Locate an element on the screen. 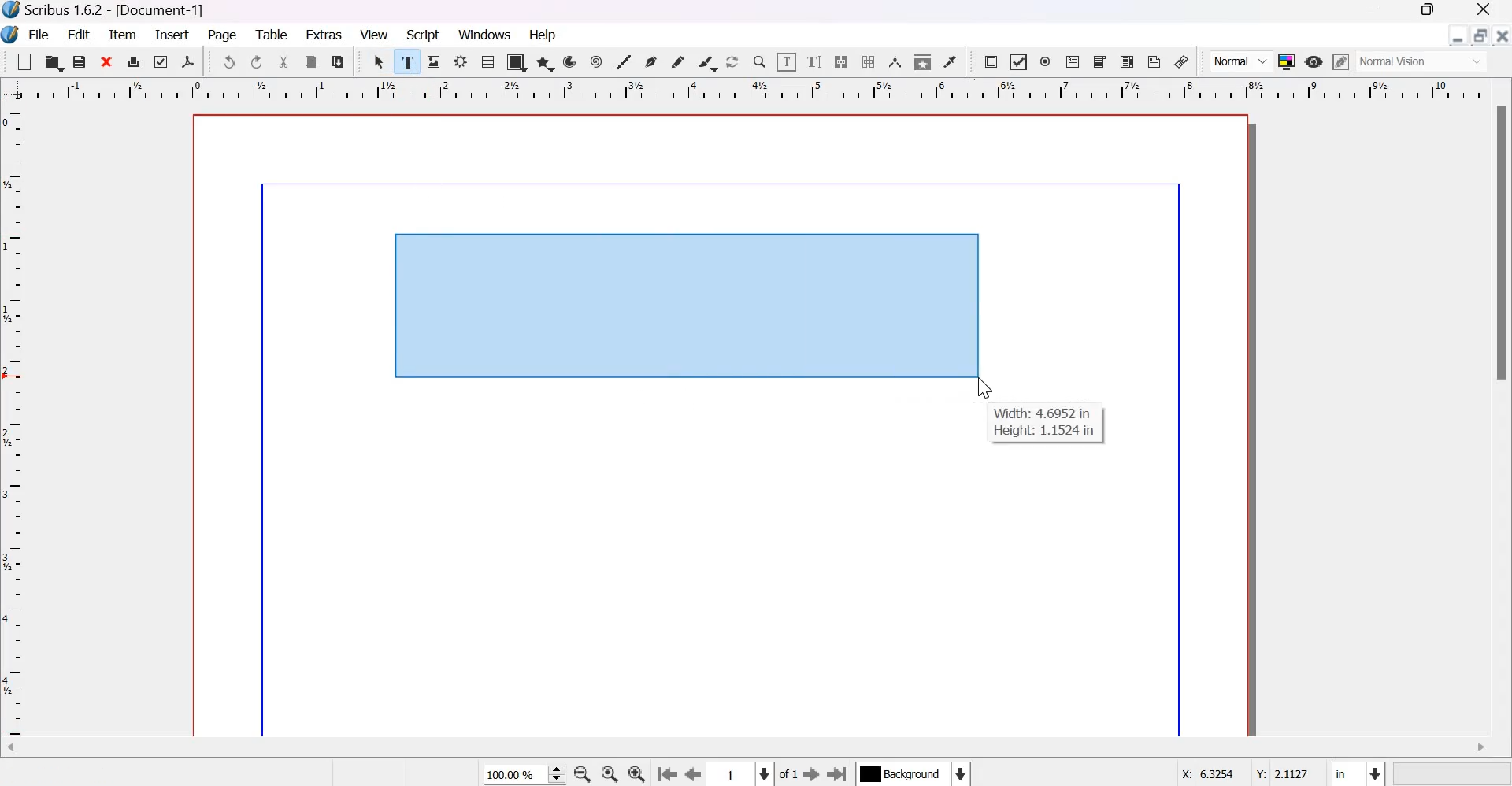 The image size is (1512, 786). PDF list box is located at coordinates (1128, 61).